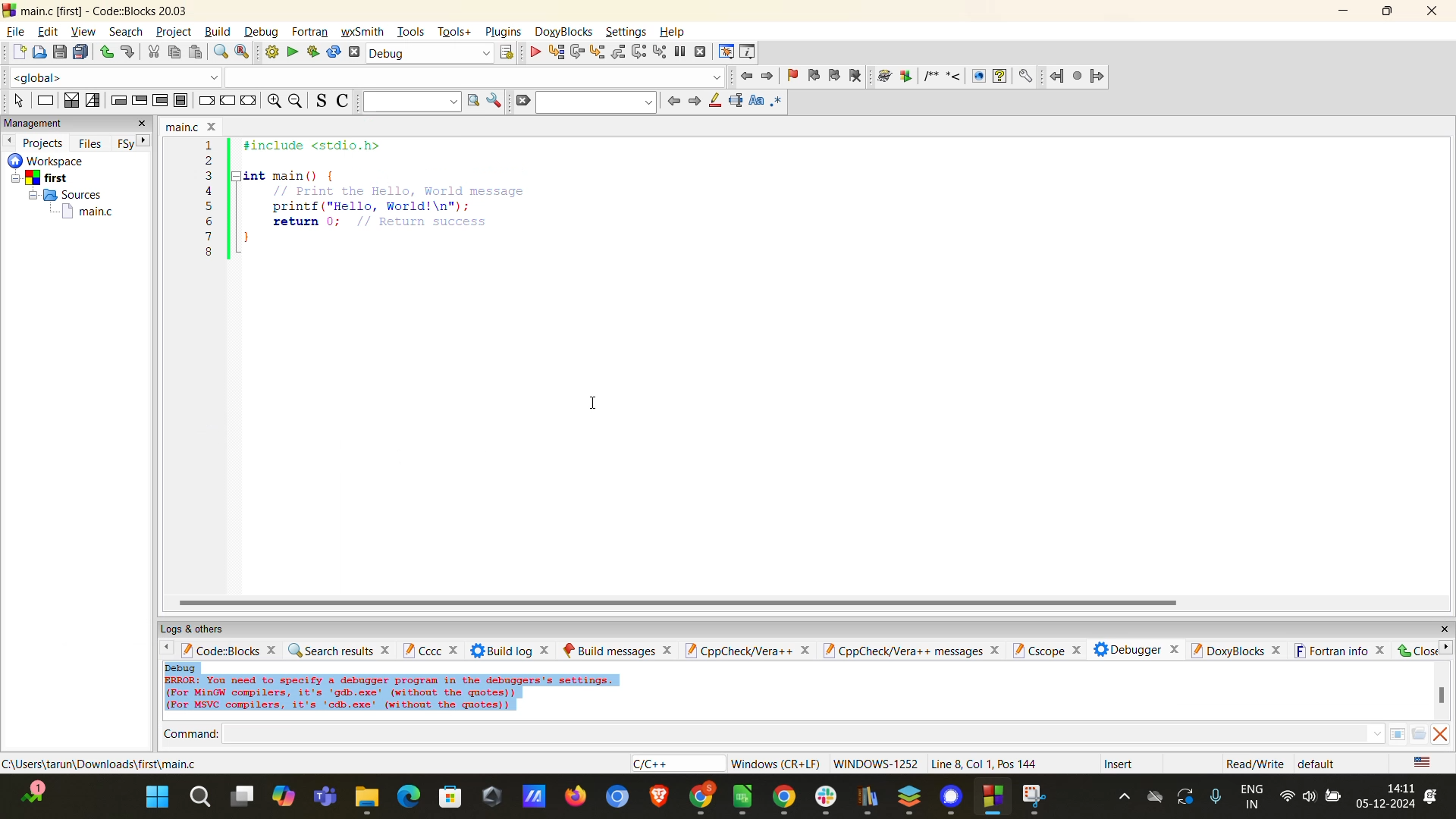 This screenshot has height=819, width=1456. I want to click on undo, so click(103, 53).